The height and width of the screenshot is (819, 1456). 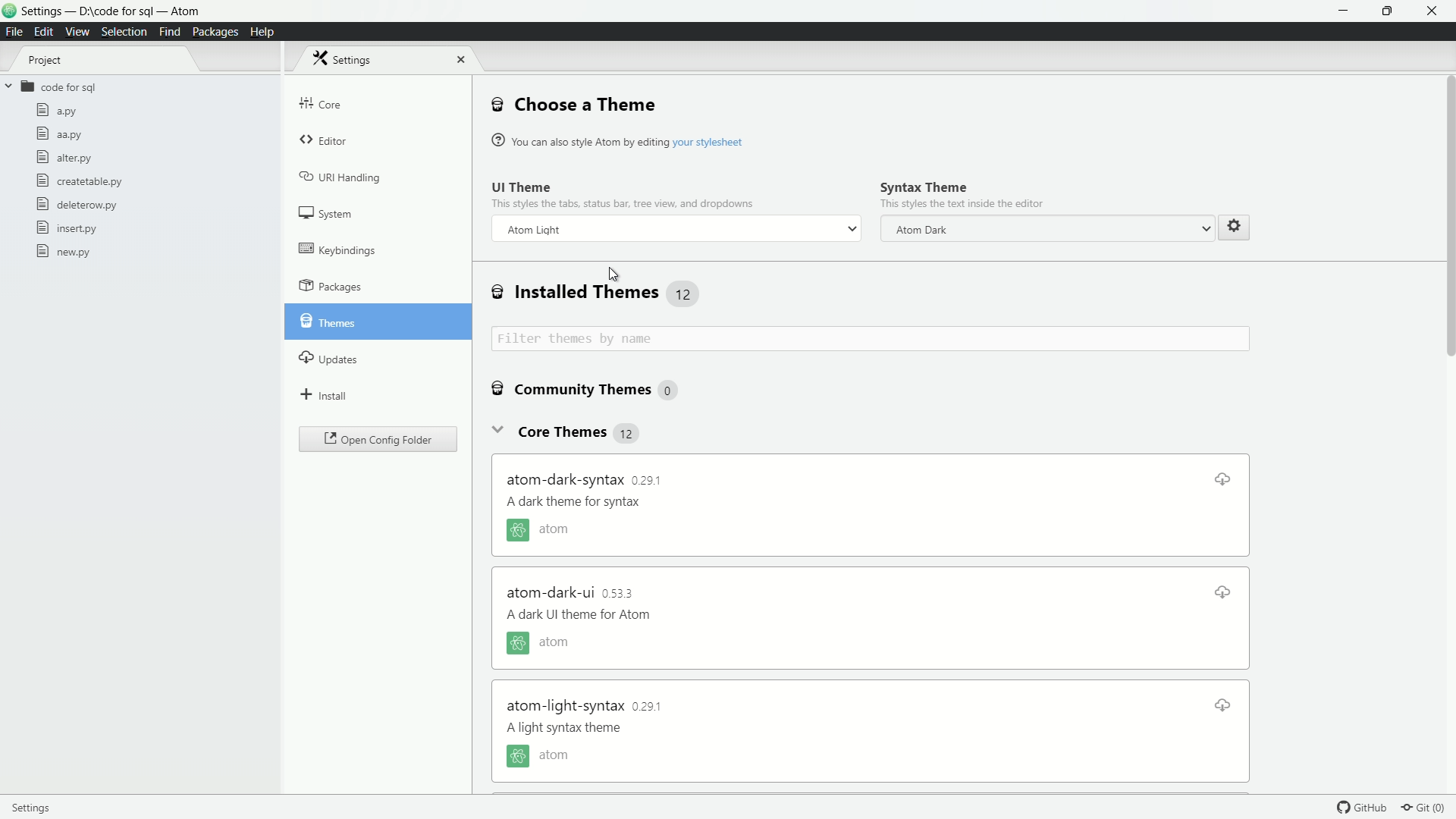 I want to click on atom dark, so click(x=920, y=229).